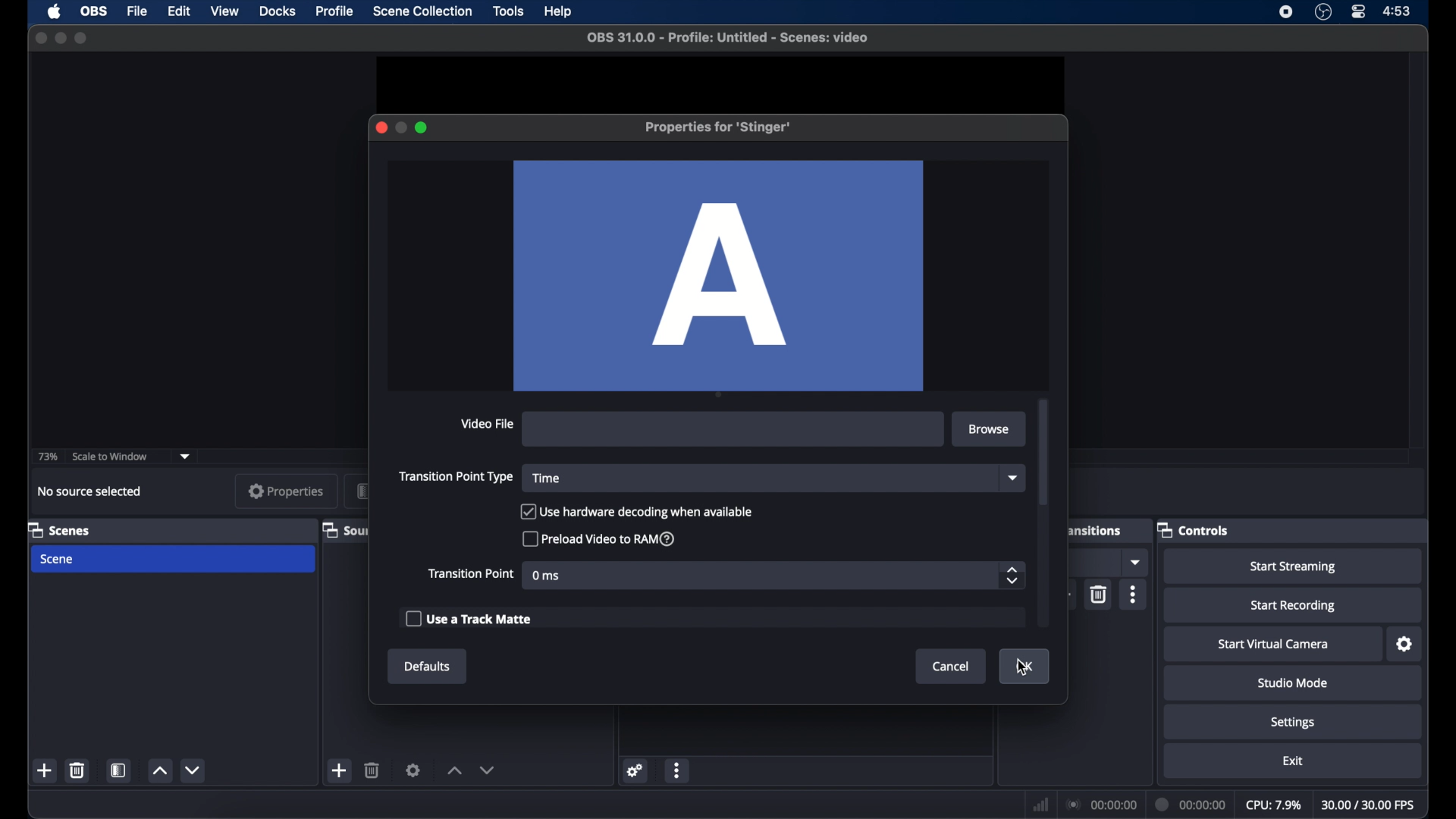 The image size is (1456, 819). I want to click on settings, so click(635, 770).